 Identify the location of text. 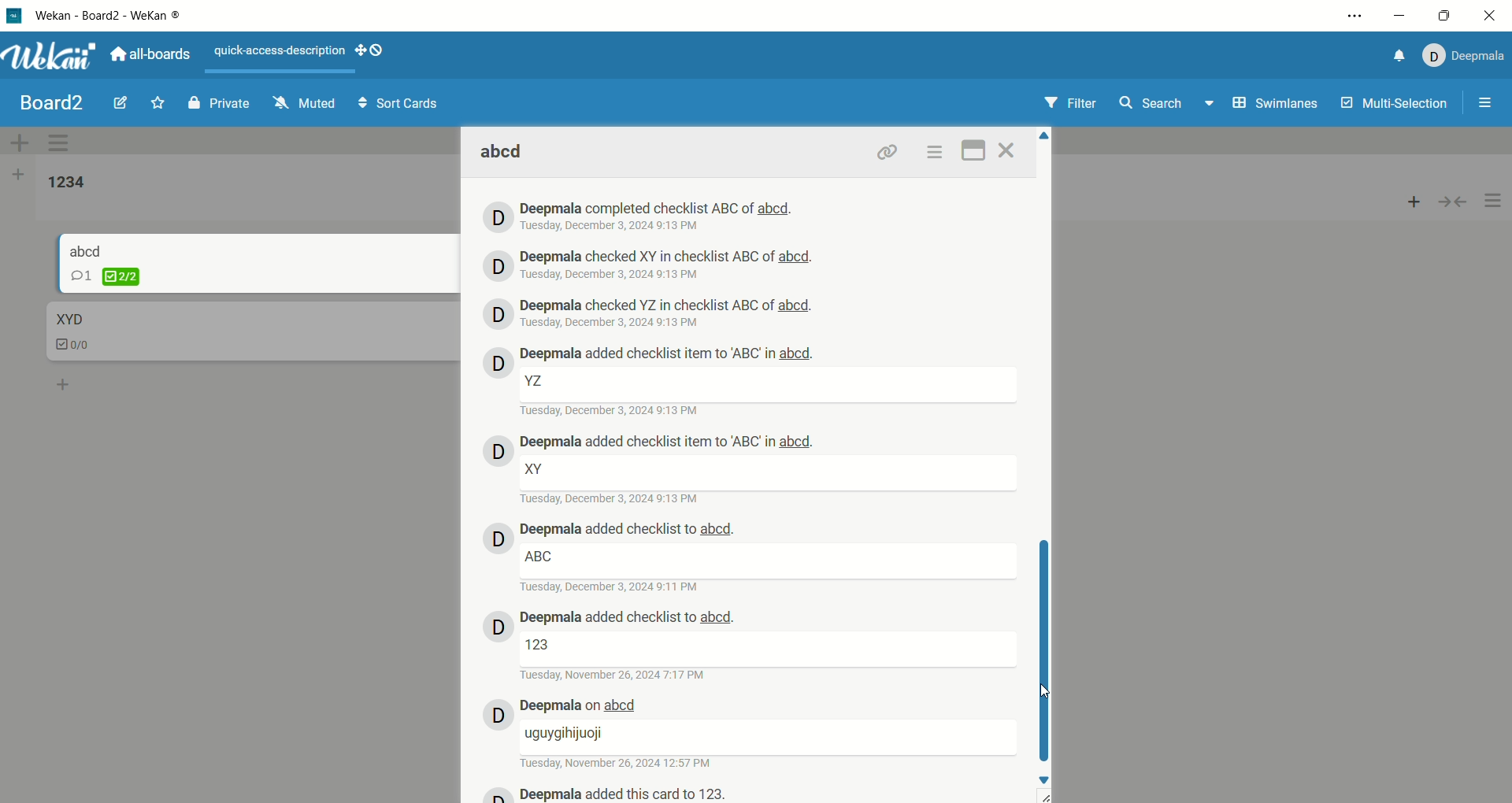
(566, 735).